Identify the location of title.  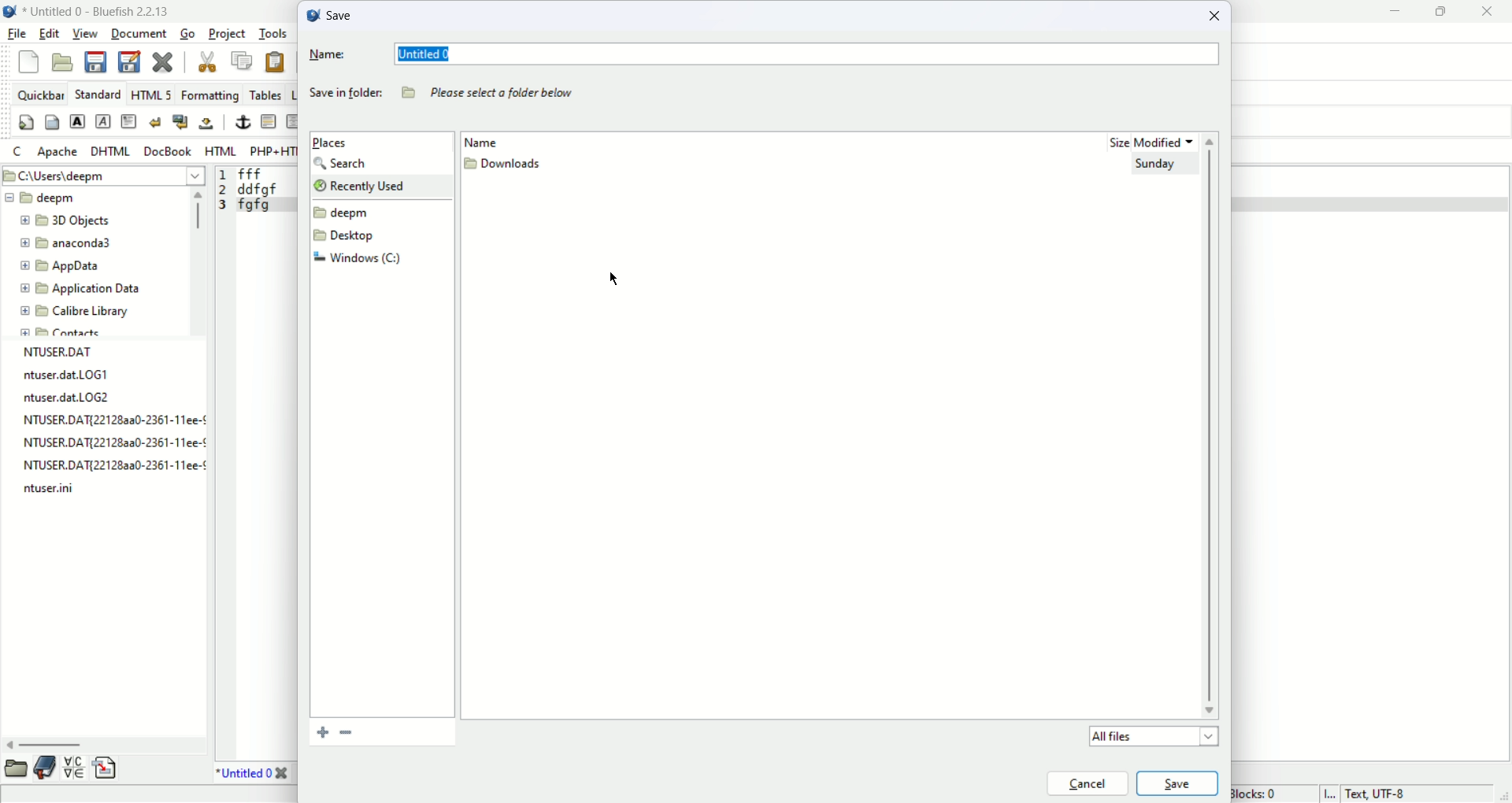
(257, 775).